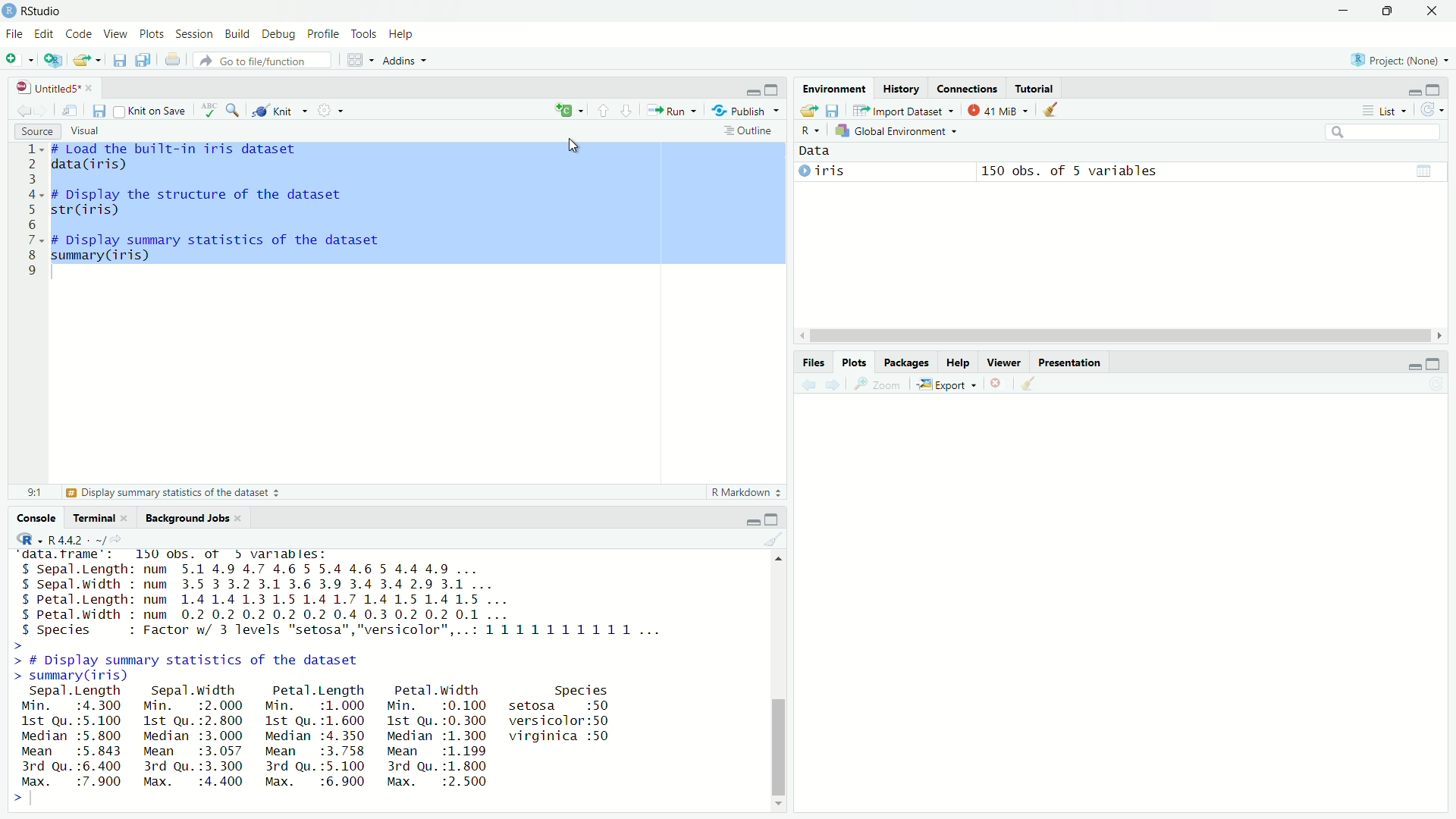 This screenshot has height=819, width=1456. I want to click on Presentation, so click(1069, 362).